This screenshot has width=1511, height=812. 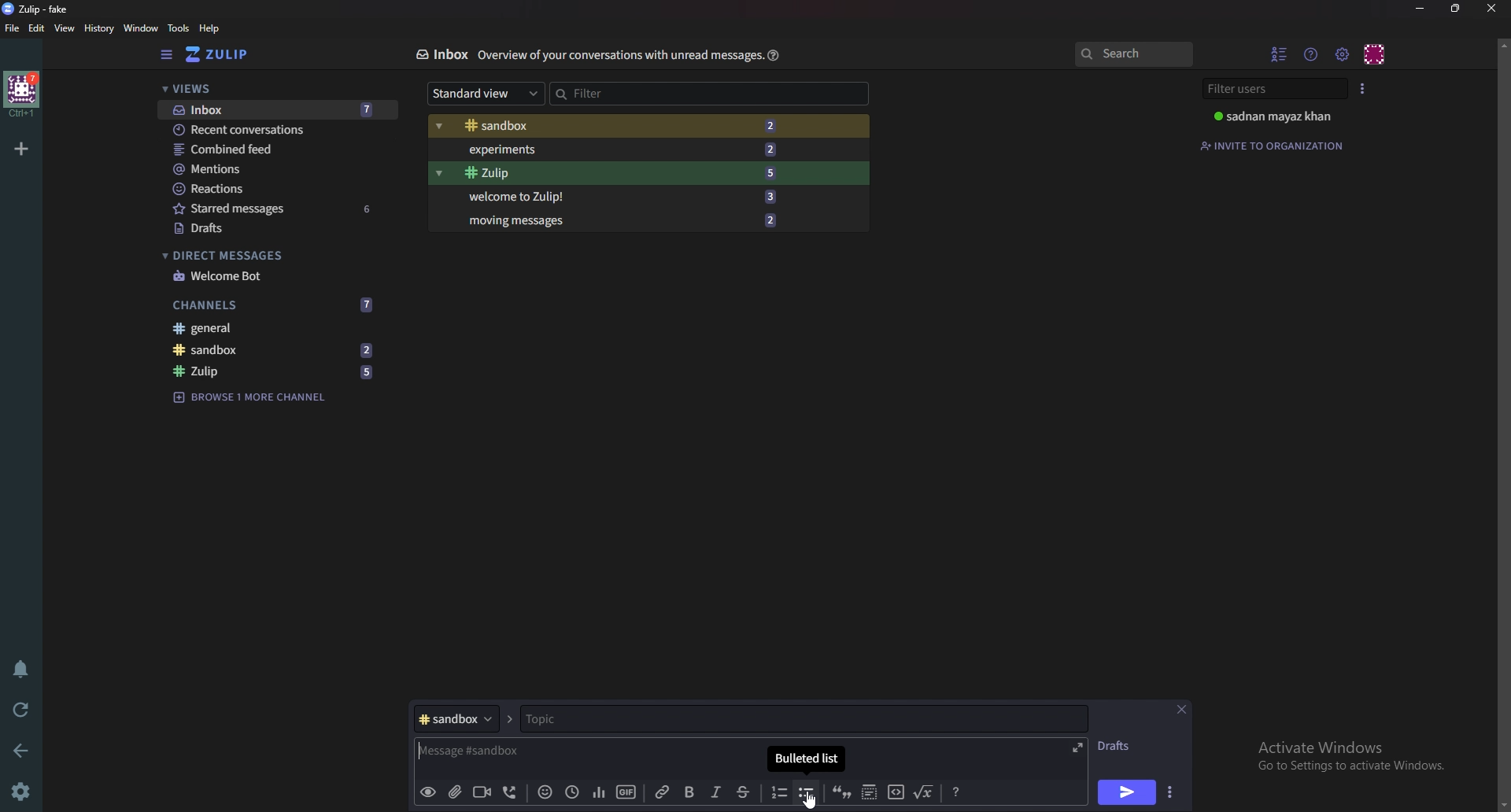 I want to click on preview, so click(x=427, y=793).